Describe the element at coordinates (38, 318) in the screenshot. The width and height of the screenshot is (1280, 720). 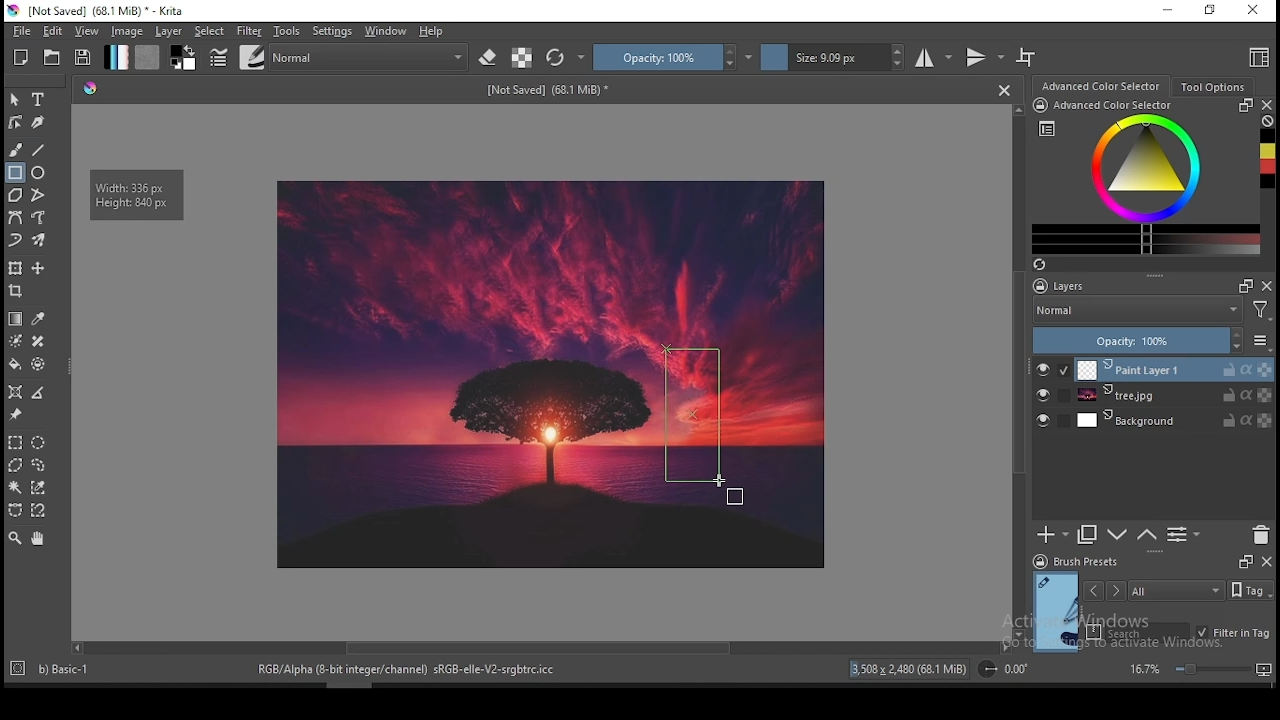
I see `pick a color from image and current layer` at that location.